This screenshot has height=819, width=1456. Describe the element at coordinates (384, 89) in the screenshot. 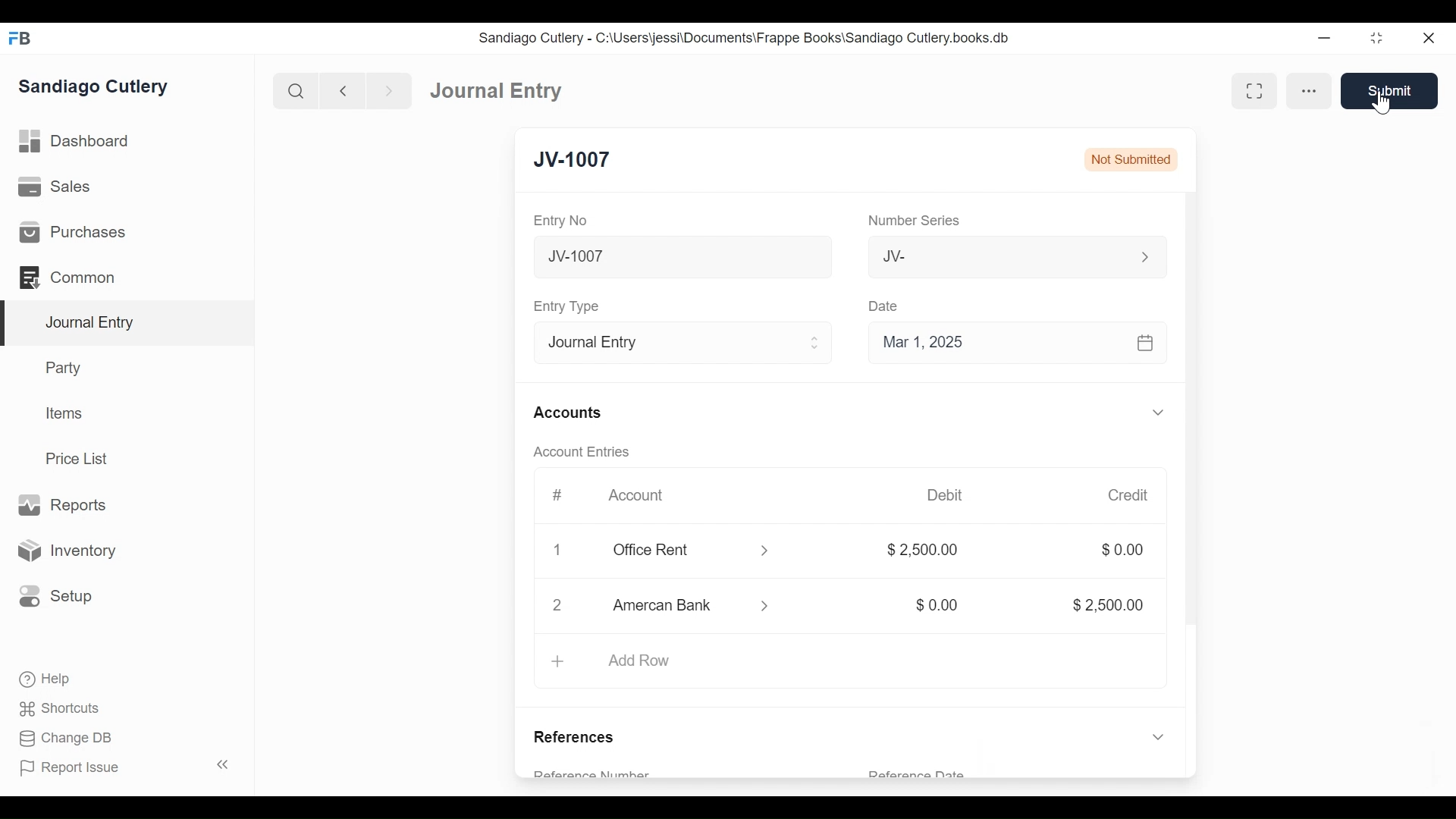

I see `next` at that location.